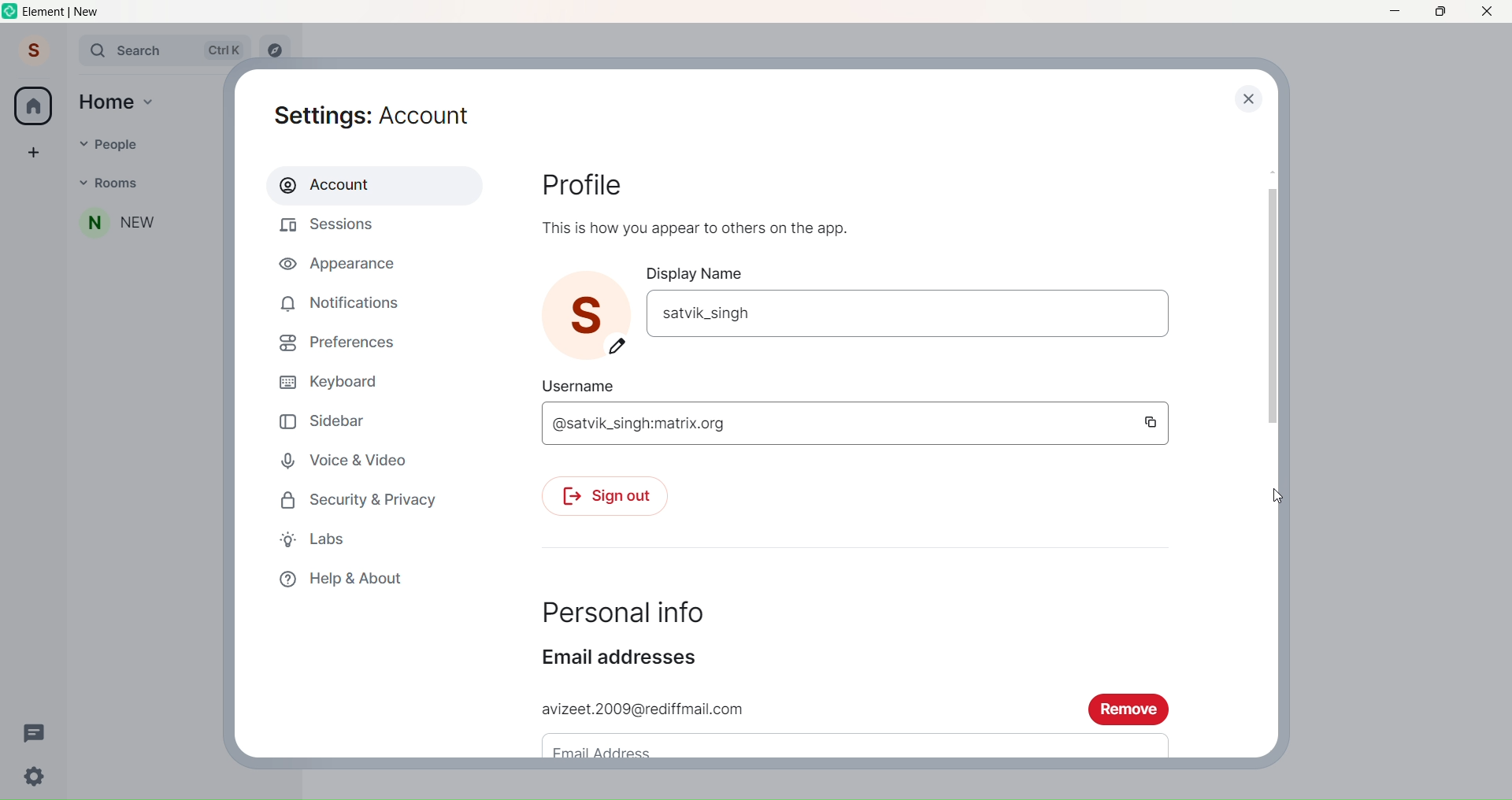 The image size is (1512, 800). I want to click on Profile, so click(31, 52).